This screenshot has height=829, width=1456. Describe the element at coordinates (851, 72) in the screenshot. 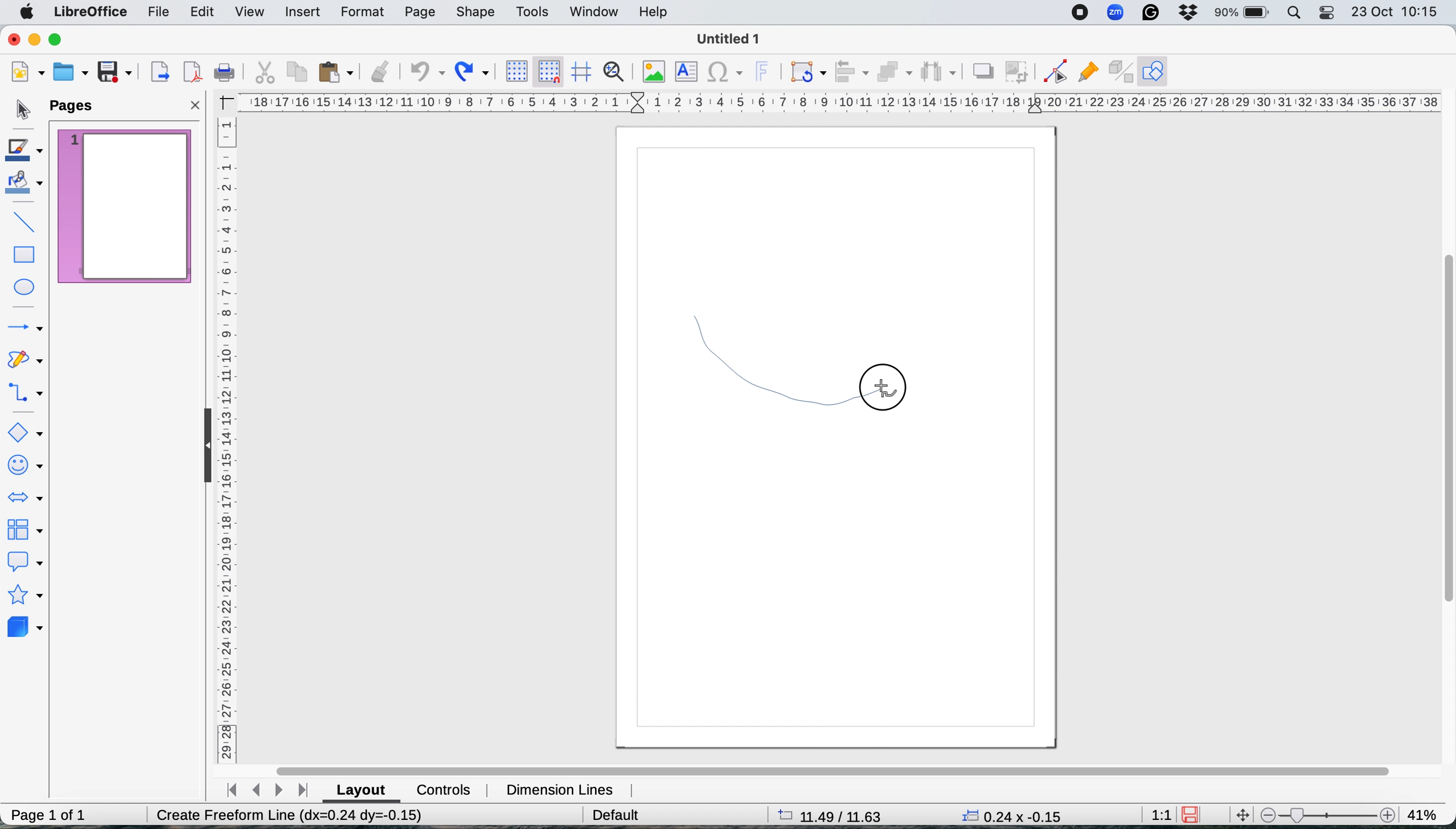

I see `align objects` at that location.